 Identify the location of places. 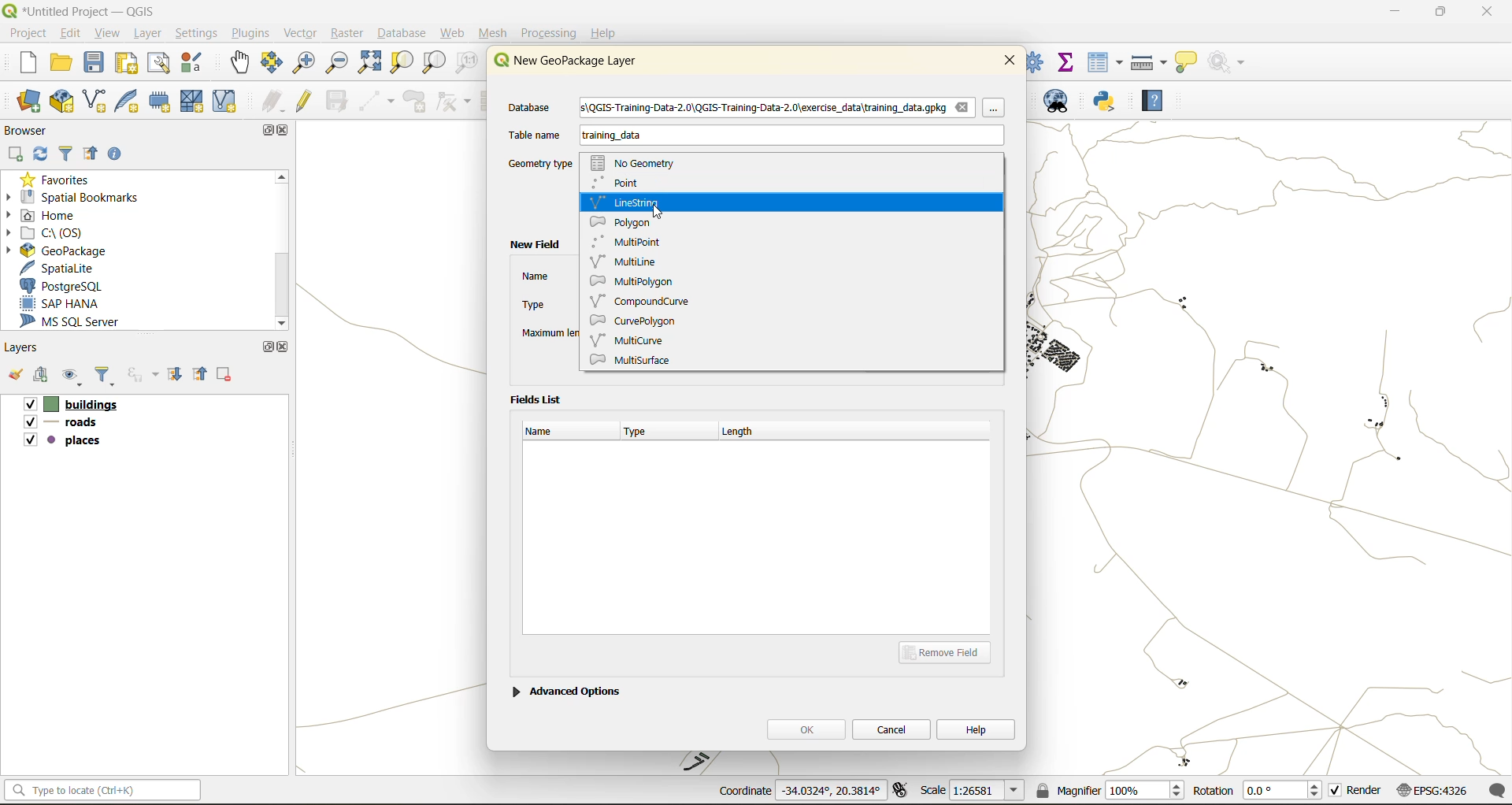
(63, 443).